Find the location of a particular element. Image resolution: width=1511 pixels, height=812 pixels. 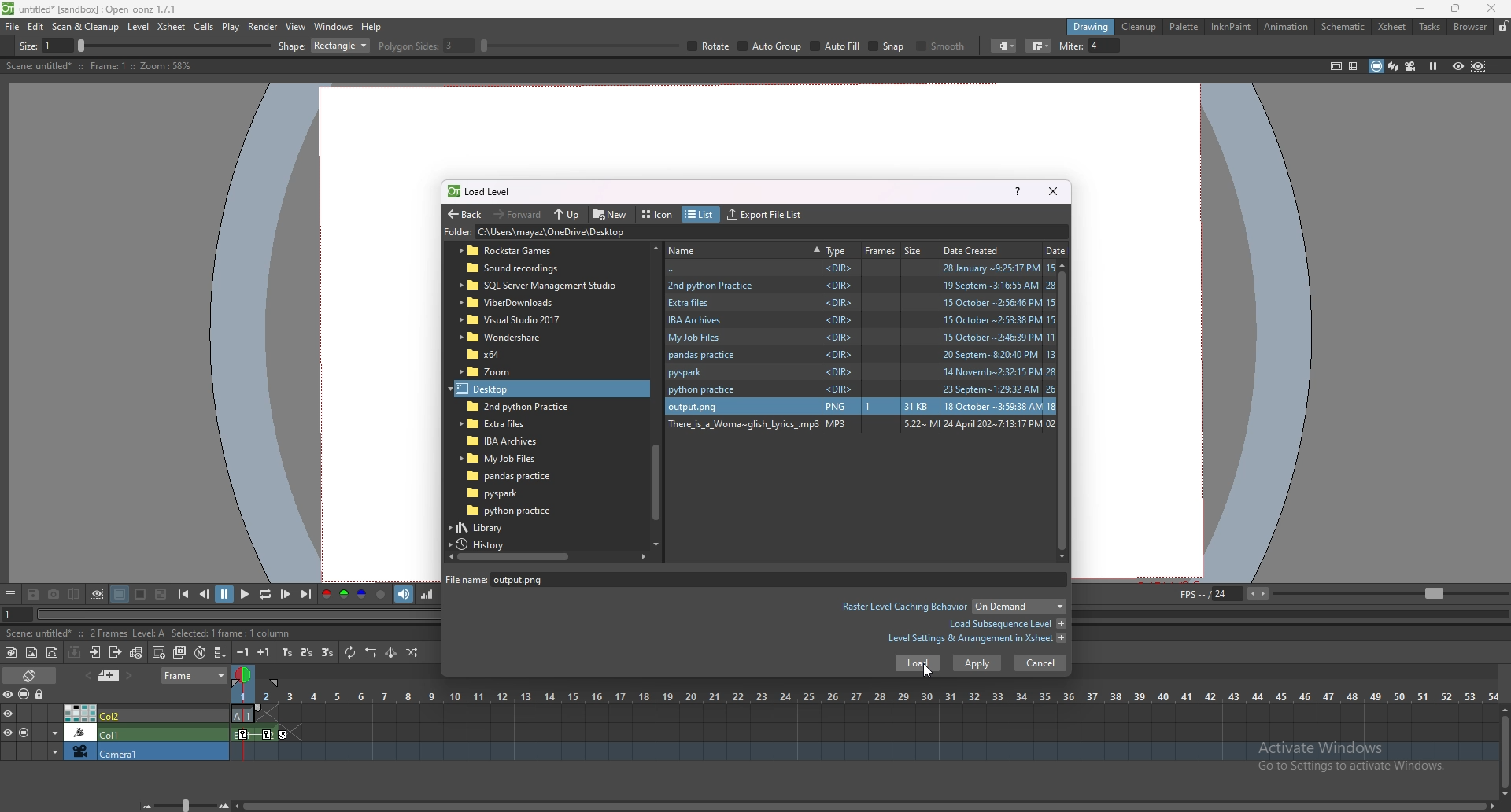

xsheet is located at coordinates (172, 26).